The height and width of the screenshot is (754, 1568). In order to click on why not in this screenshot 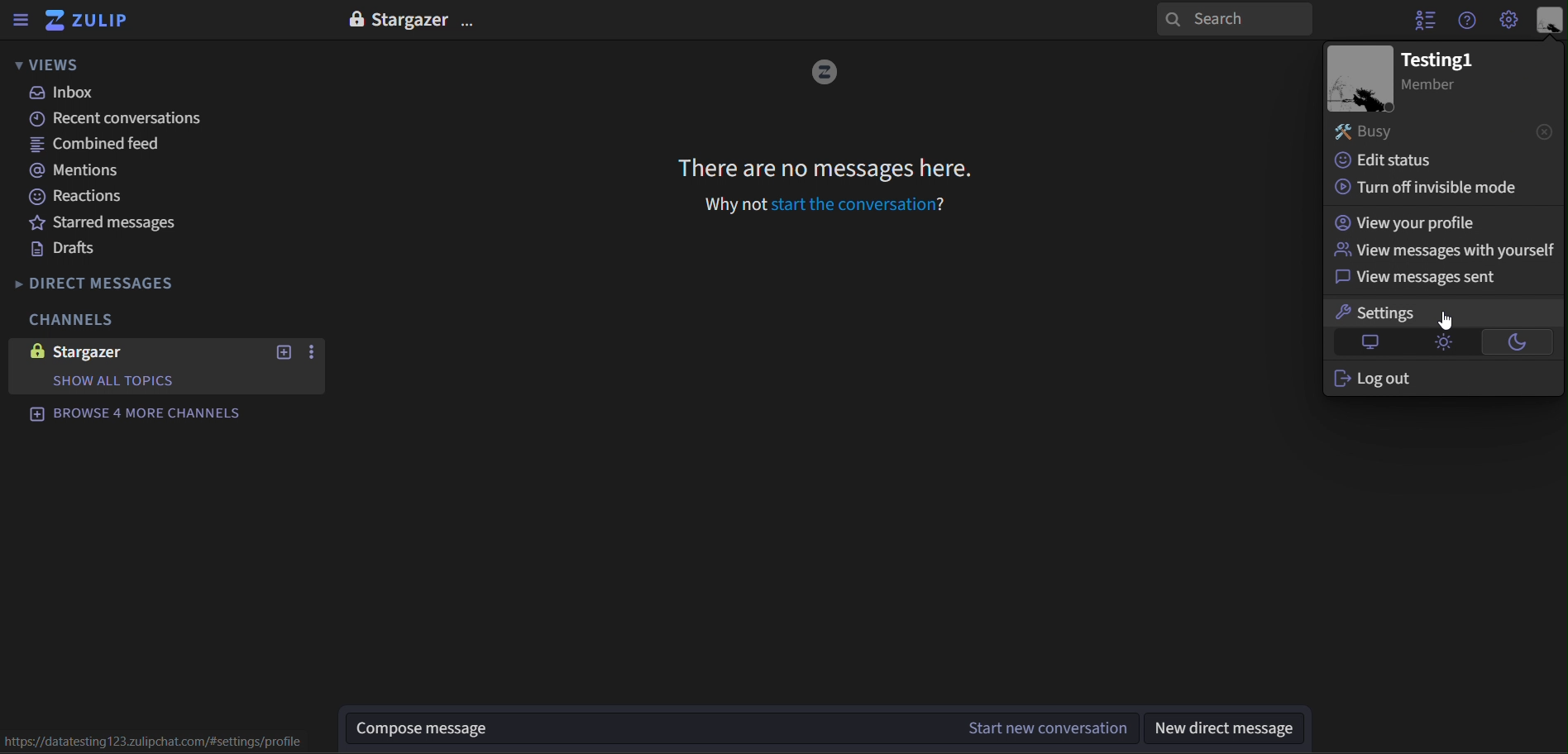, I will do `click(730, 204)`.